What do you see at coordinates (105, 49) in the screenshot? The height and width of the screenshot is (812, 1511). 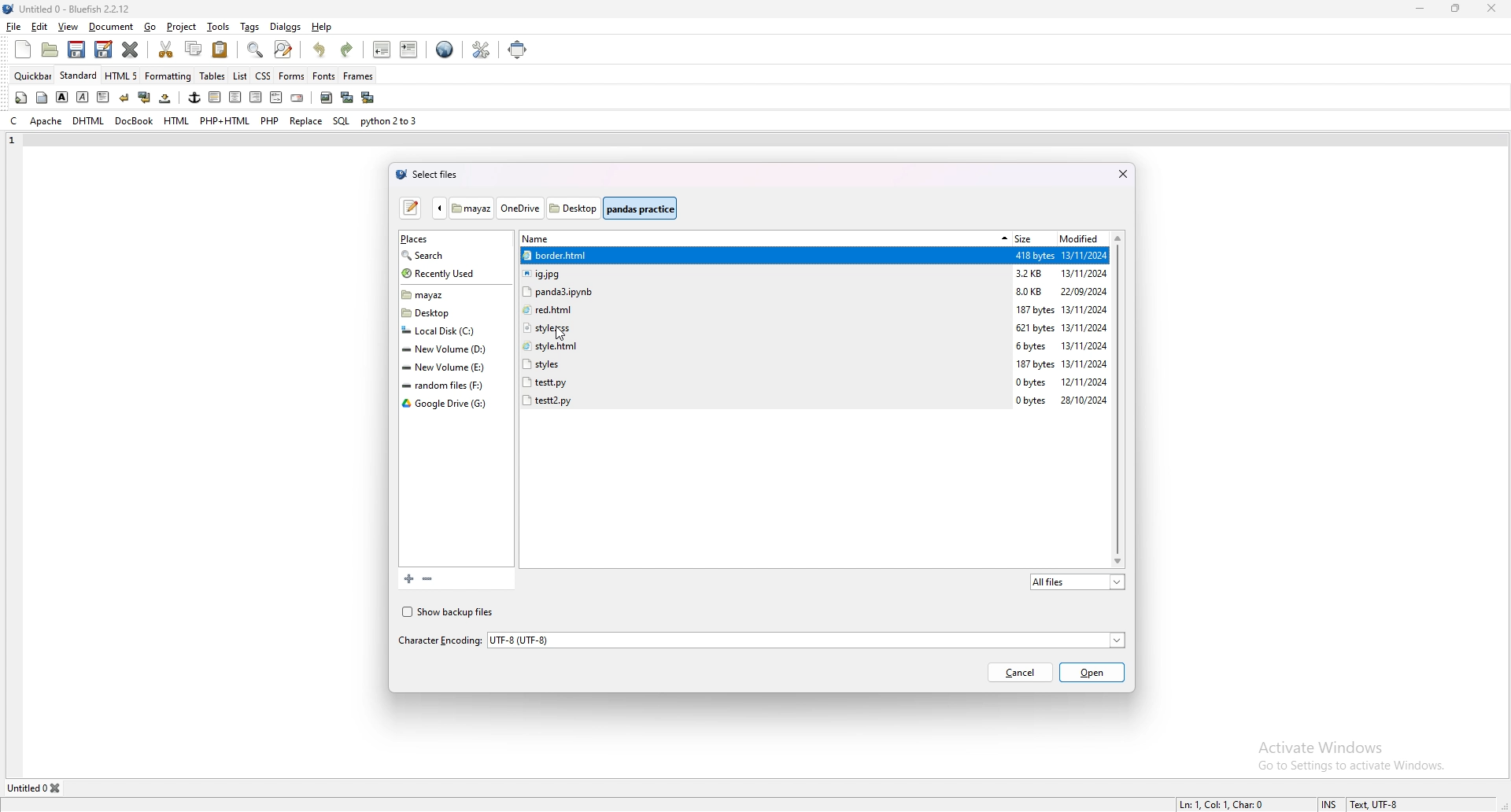 I see `save as` at bounding box center [105, 49].